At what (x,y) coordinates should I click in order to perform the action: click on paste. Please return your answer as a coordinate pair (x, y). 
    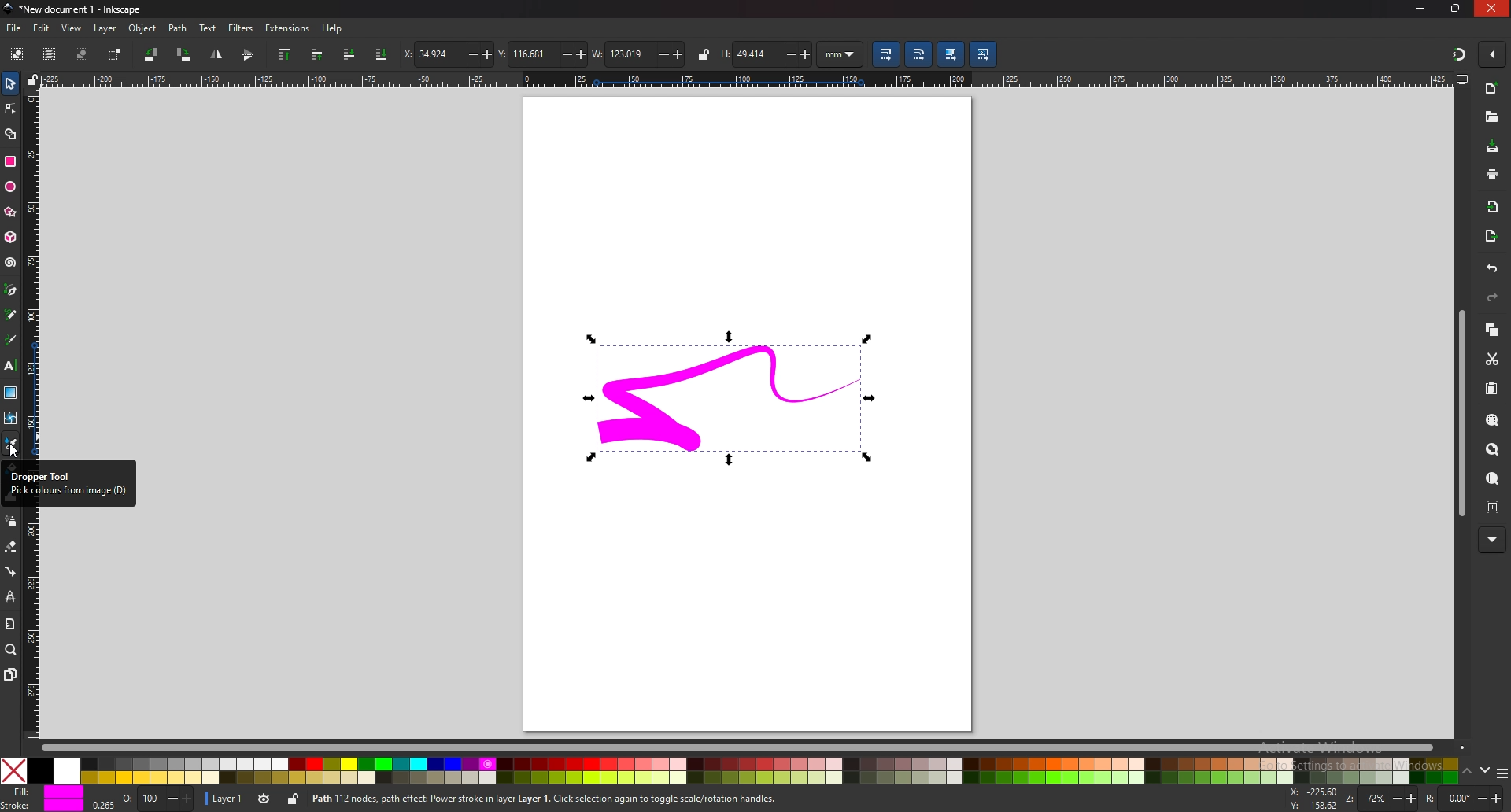
    Looking at the image, I should click on (1494, 387).